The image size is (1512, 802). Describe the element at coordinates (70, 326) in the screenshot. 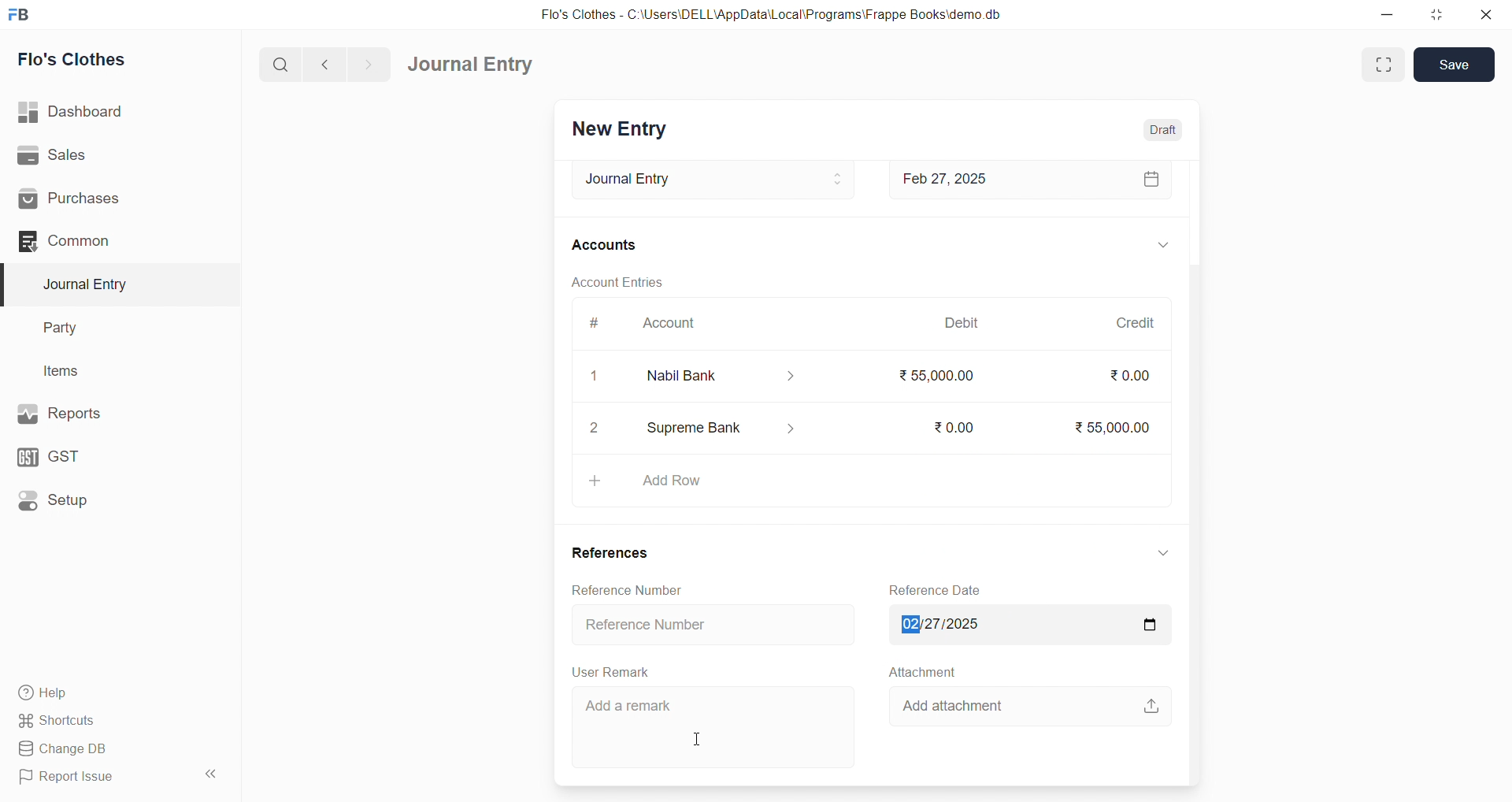

I see `Party` at that location.